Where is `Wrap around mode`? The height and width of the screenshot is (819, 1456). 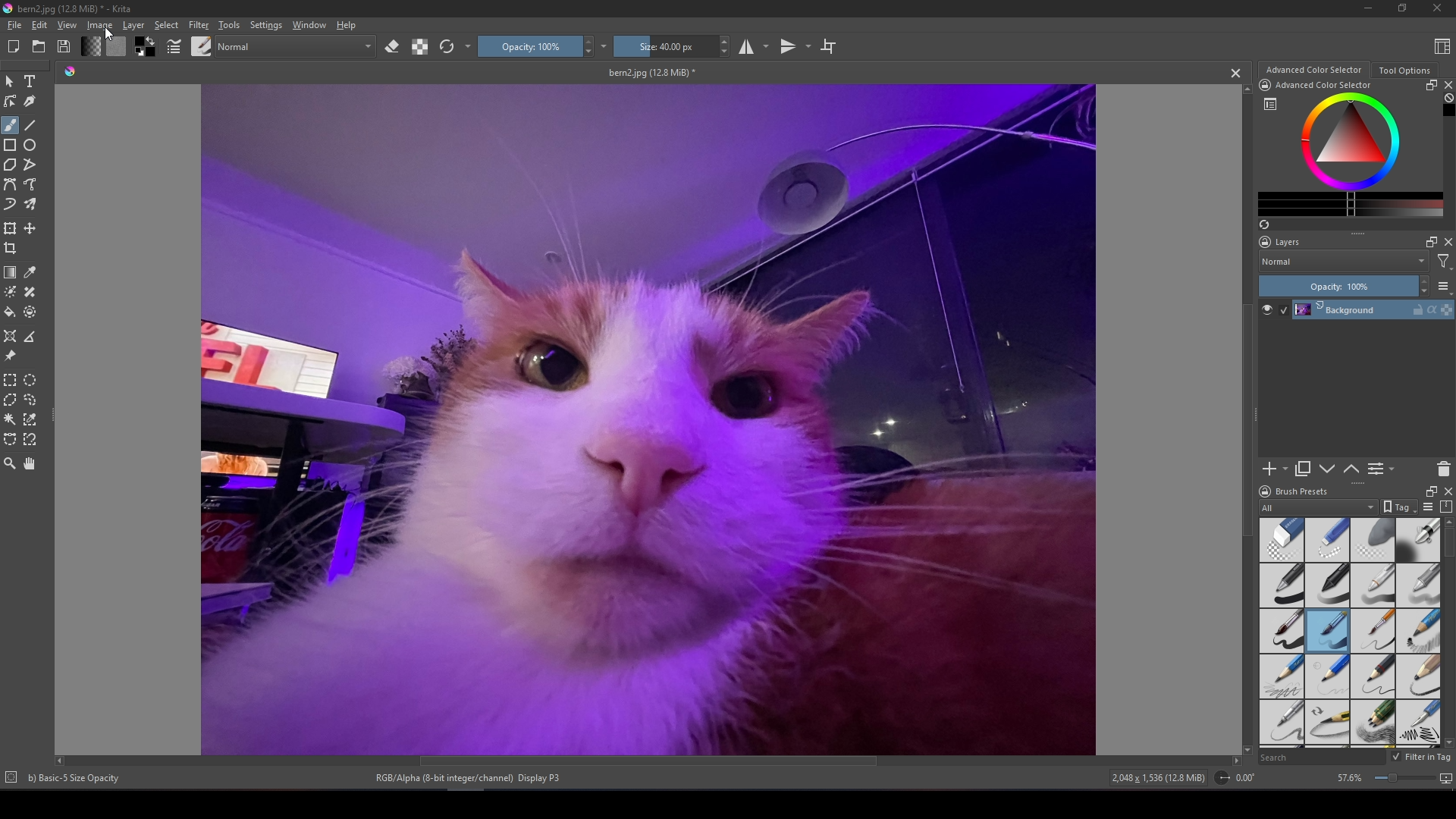 Wrap around mode is located at coordinates (829, 47).